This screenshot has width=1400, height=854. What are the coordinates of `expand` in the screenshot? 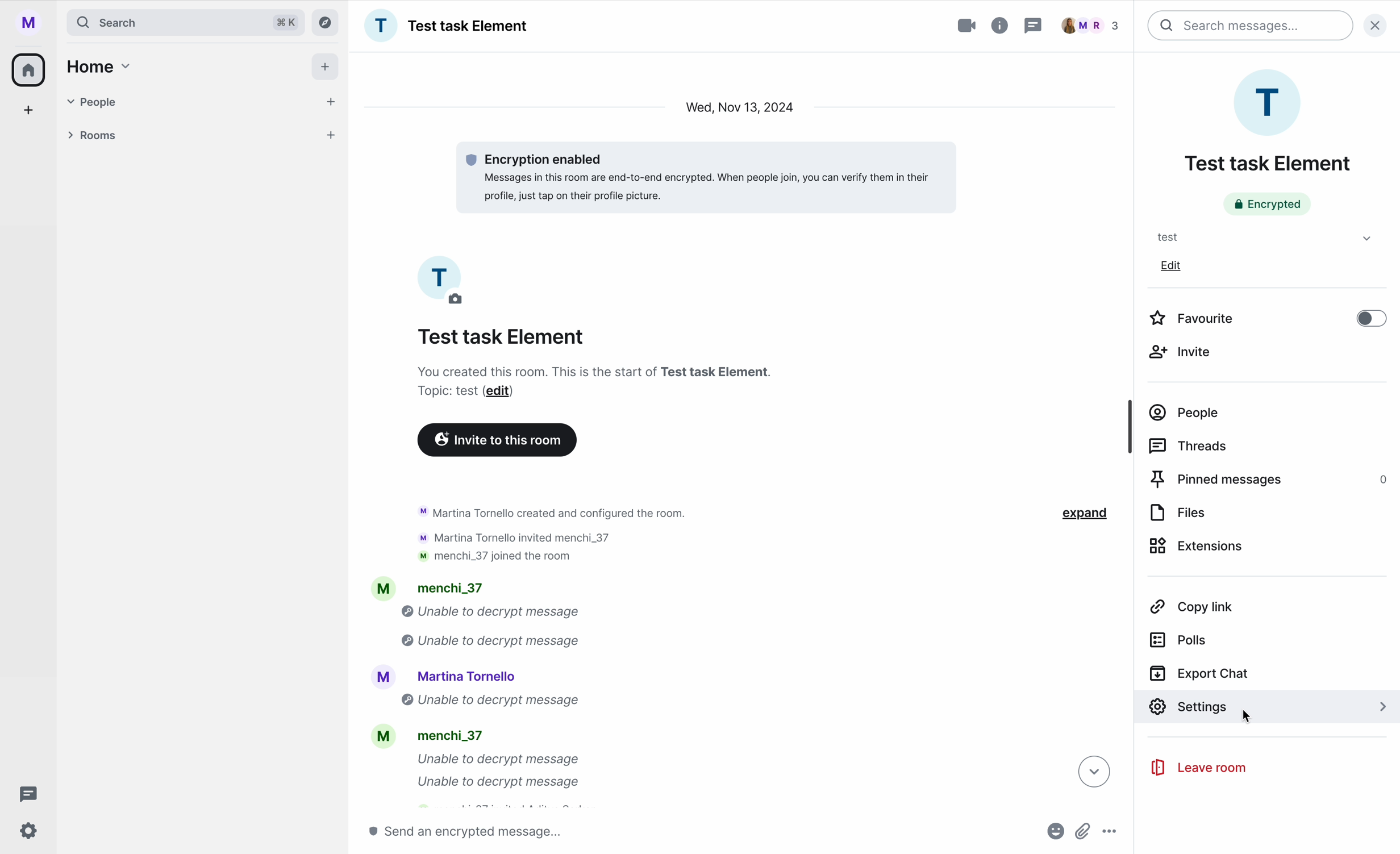 It's located at (1073, 514).